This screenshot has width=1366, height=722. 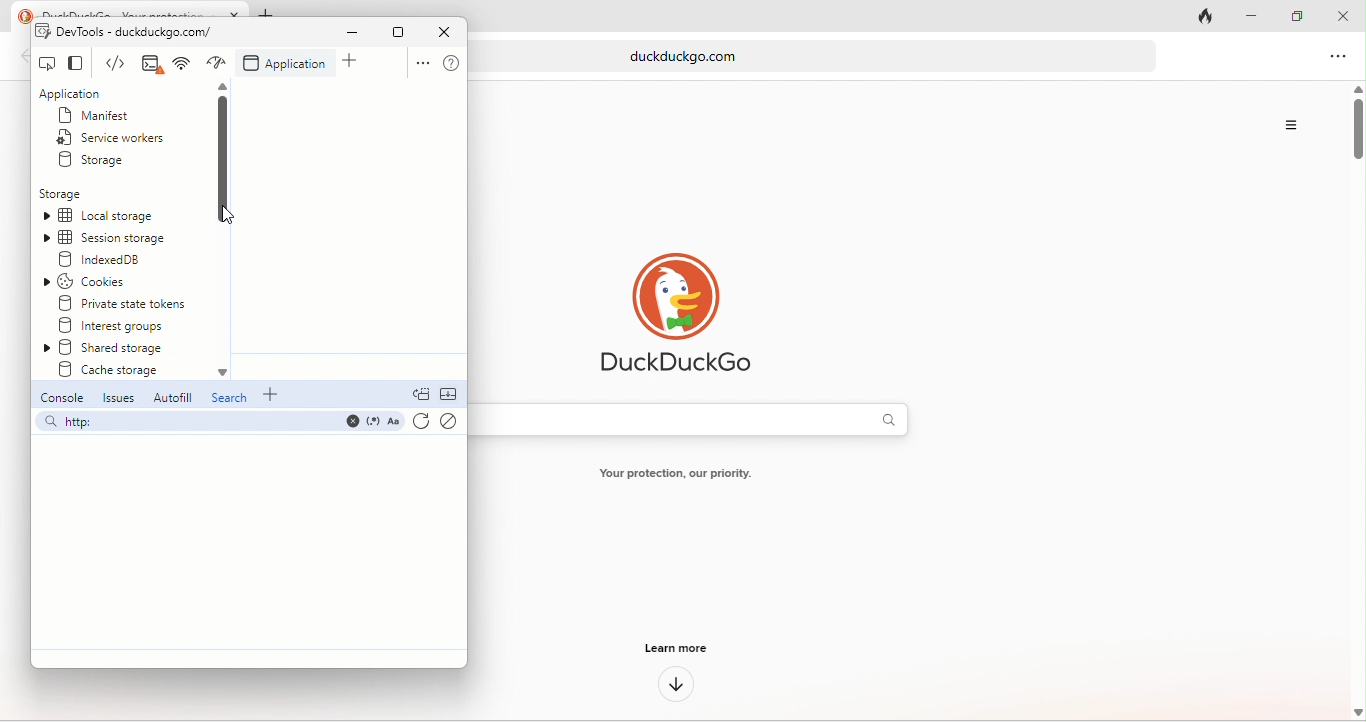 I want to click on option, so click(x=1285, y=122).